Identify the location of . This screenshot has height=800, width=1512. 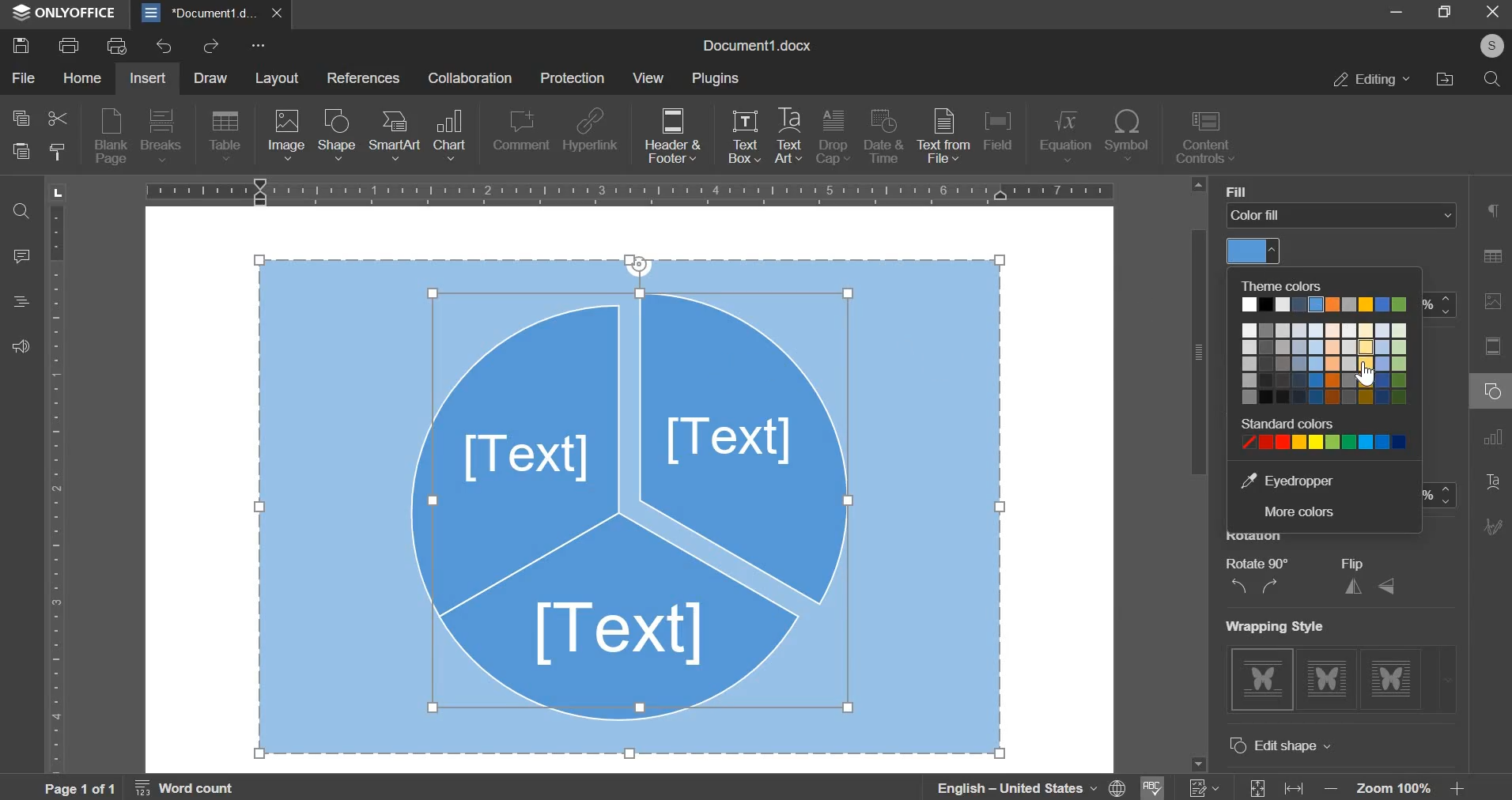
(1267, 563).